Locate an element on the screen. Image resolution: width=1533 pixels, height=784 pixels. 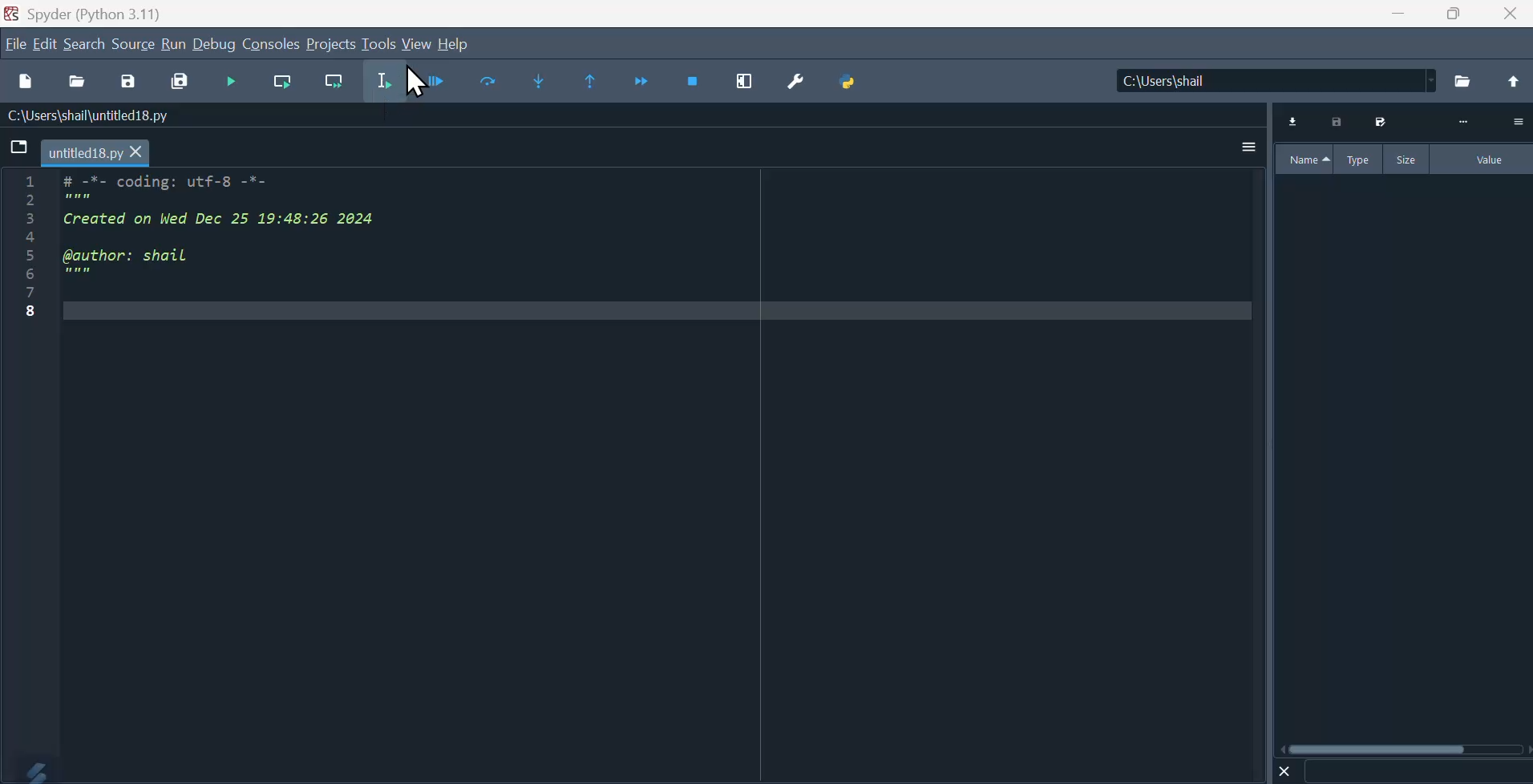
Logo is located at coordinates (30, 769).